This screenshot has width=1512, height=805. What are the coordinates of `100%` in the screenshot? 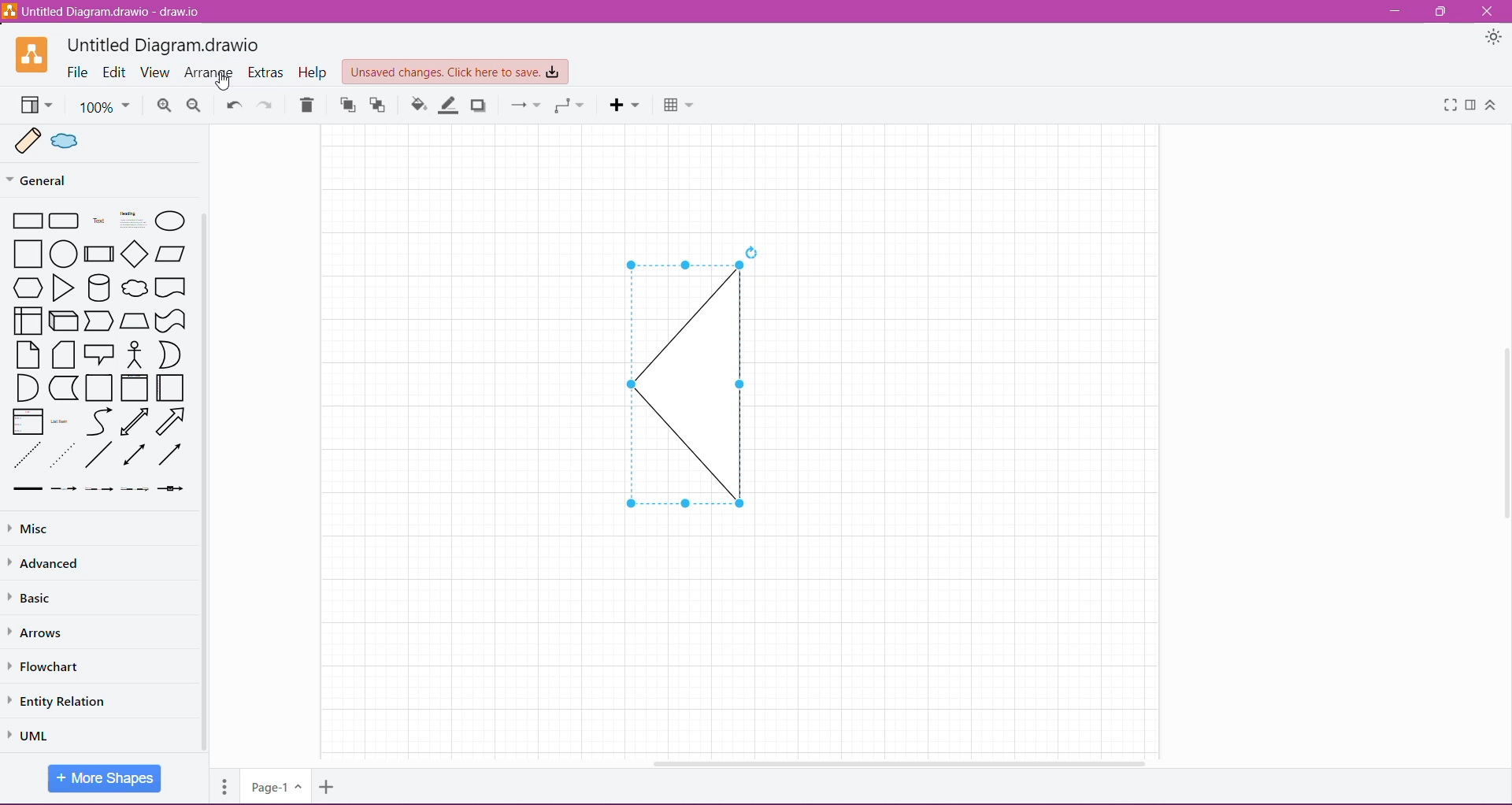 It's located at (105, 107).